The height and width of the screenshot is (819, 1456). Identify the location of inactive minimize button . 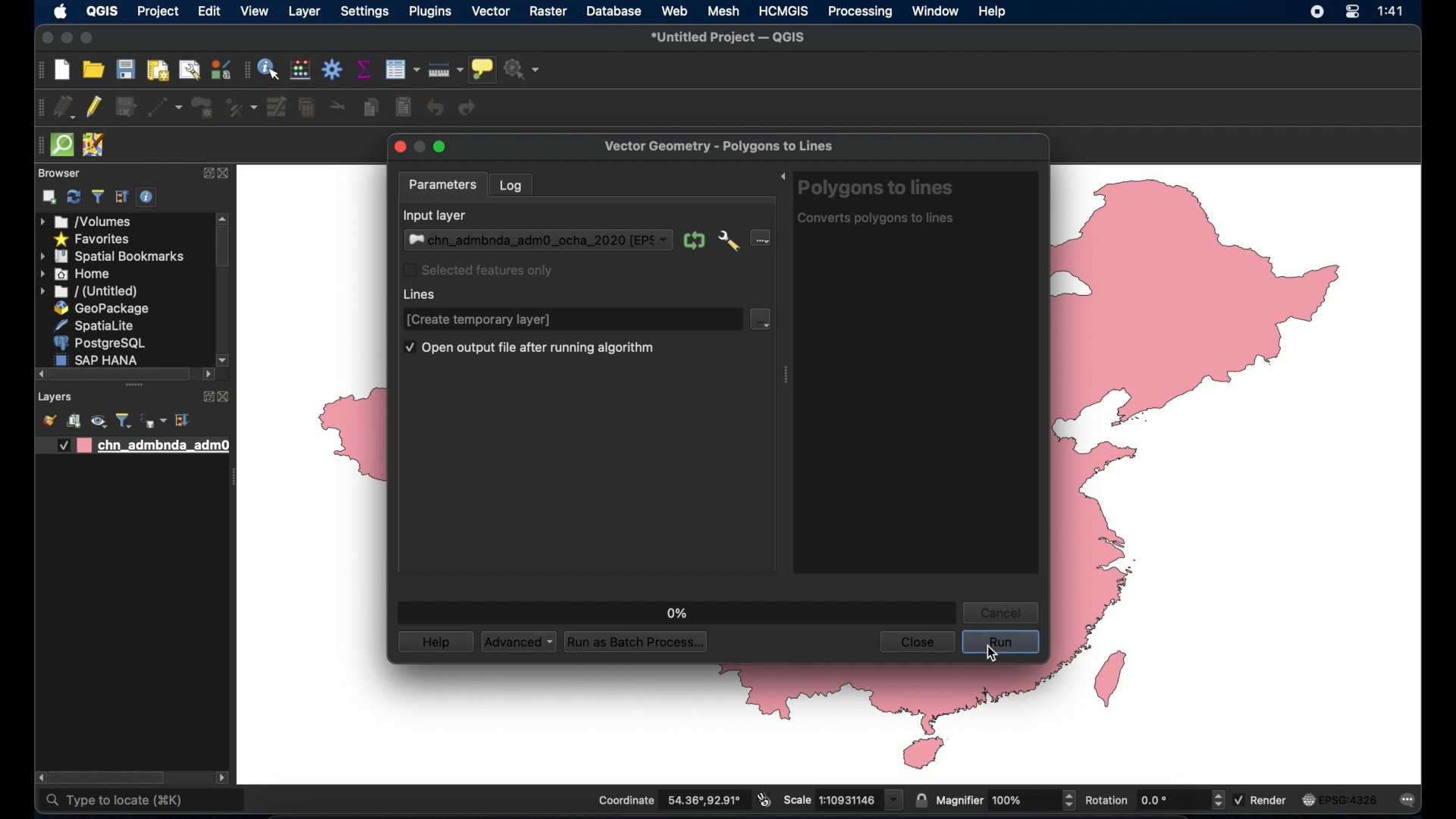
(419, 148).